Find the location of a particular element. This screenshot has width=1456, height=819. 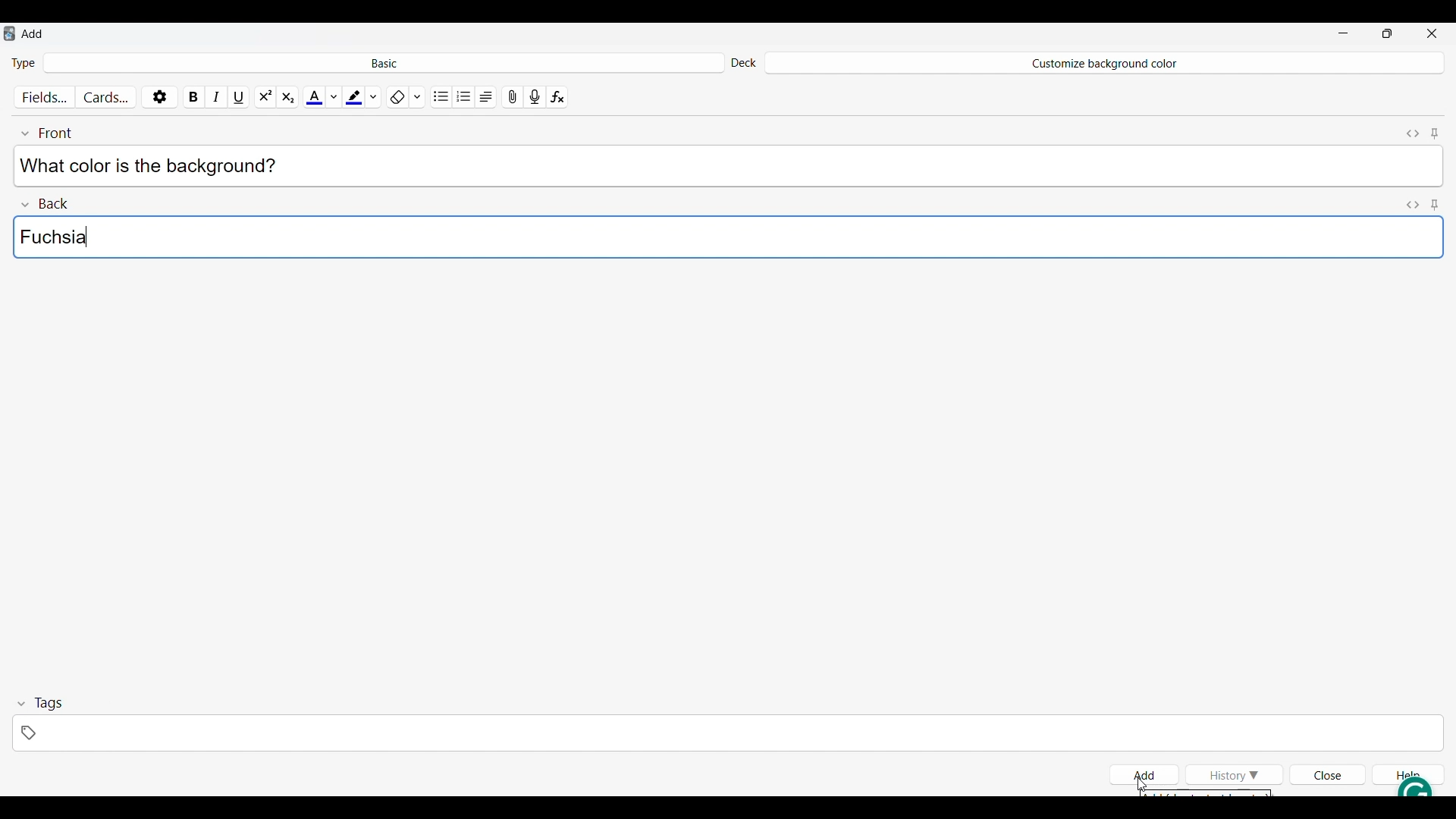

Collapse Back field is located at coordinates (45, 202).